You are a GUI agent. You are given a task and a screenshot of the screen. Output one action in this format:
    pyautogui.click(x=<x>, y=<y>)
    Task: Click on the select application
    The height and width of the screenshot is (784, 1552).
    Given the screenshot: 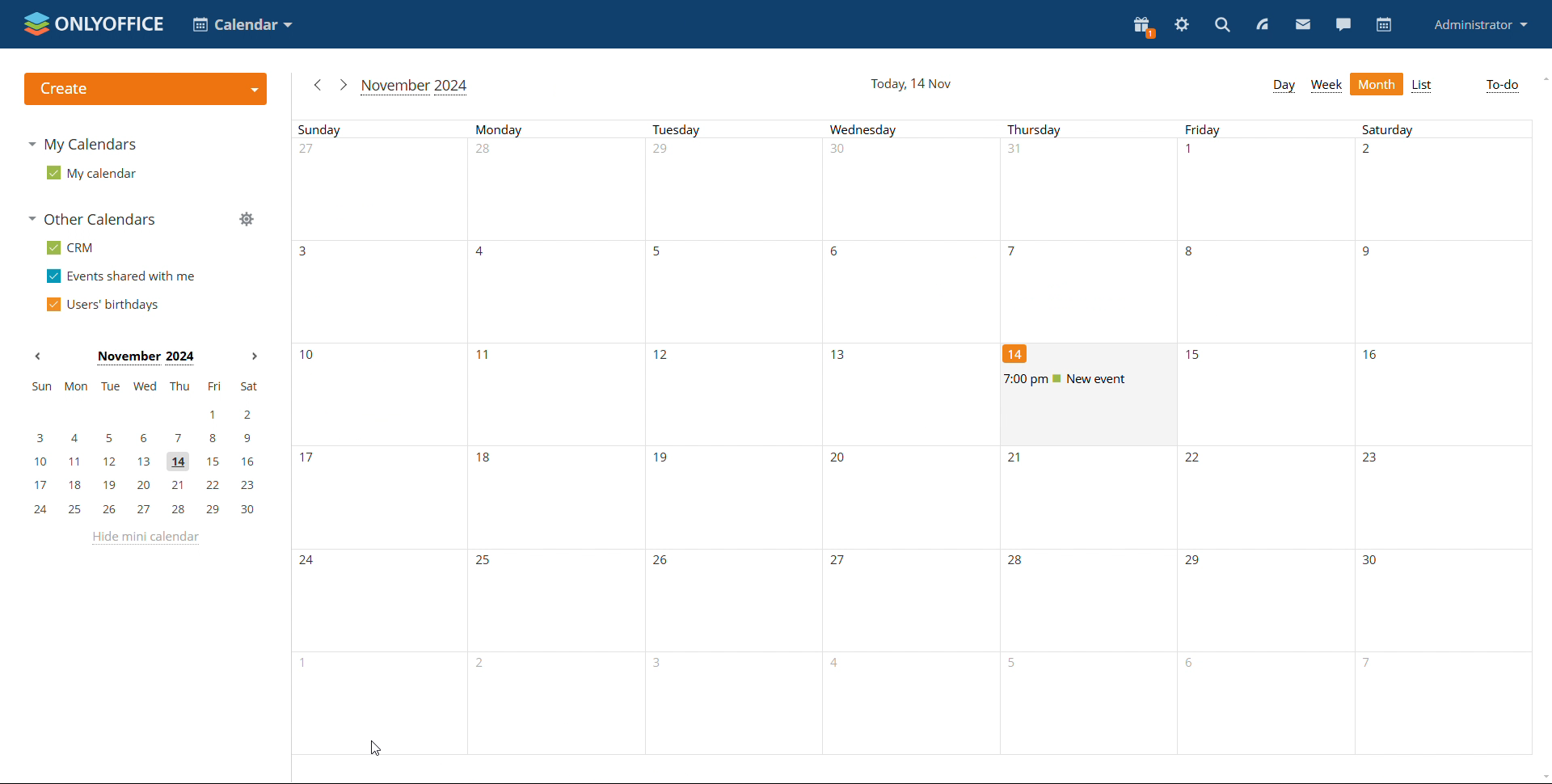 What is the action you would take?
    pyautogui.click(x=242, y=24)
    